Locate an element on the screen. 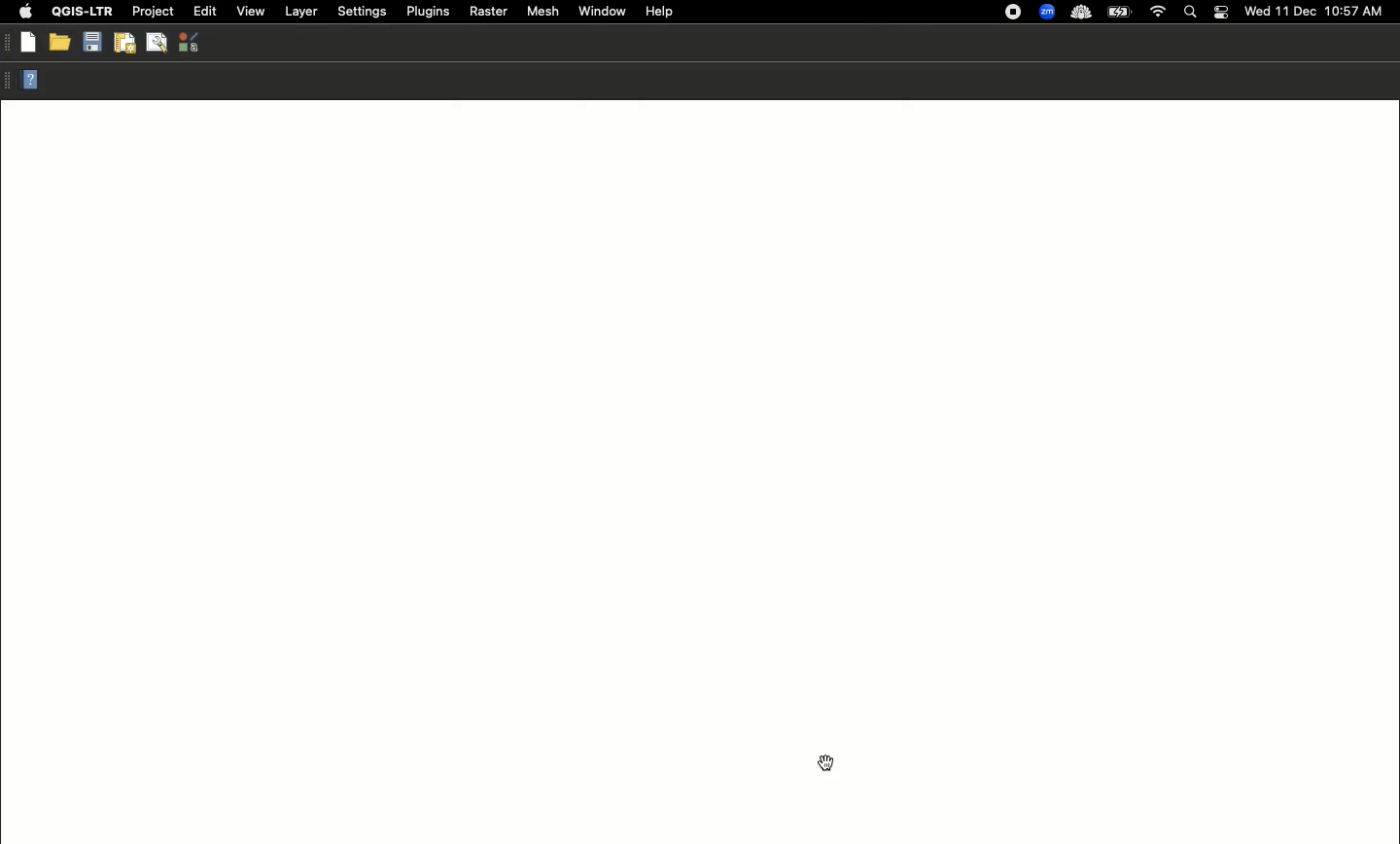  Raster is located at coordinates (489, 13).